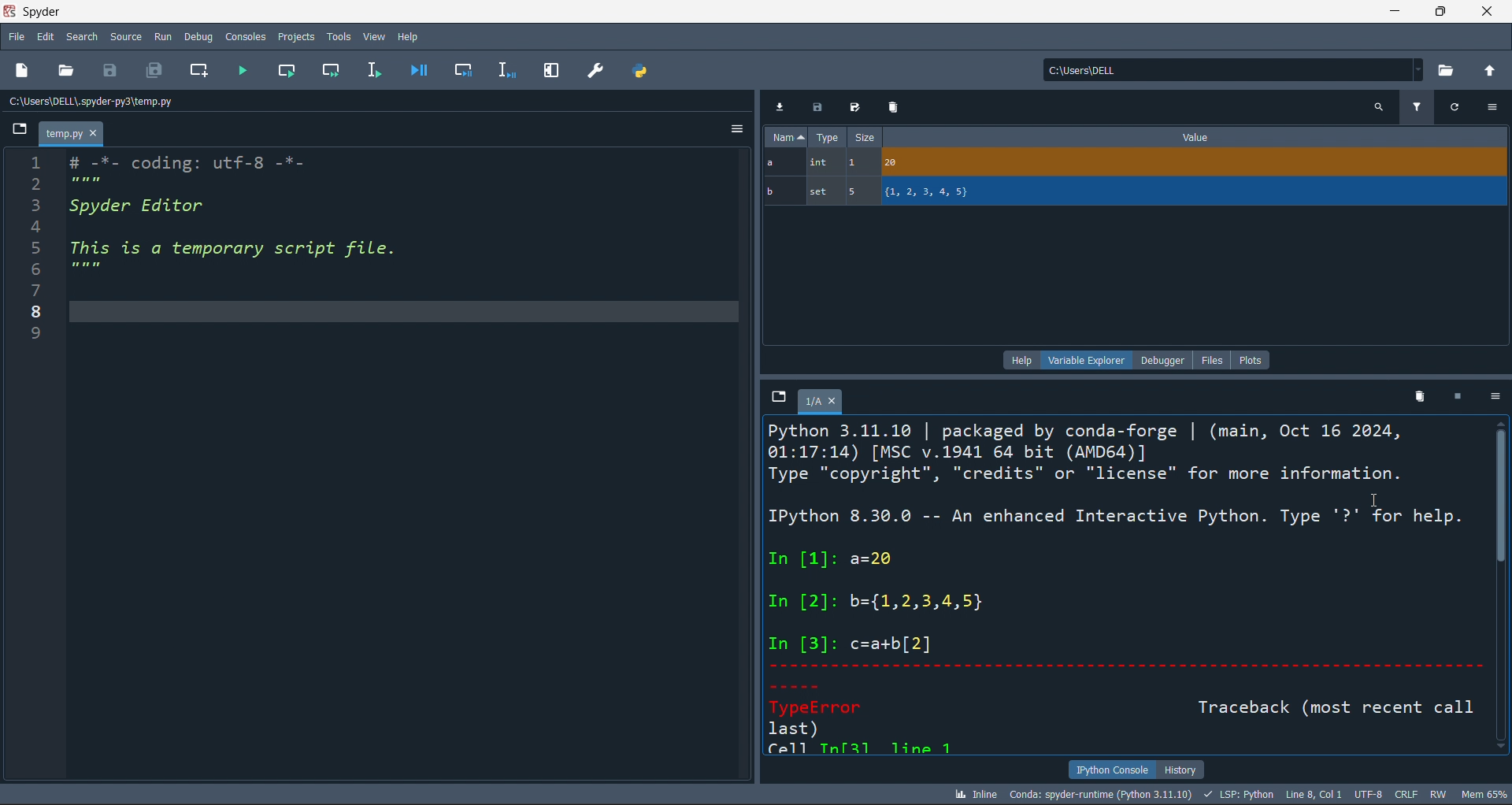  What do you see at coordinates (1492, 398) in the screenshot?
I see `options` at bounding box center [1492, 398].